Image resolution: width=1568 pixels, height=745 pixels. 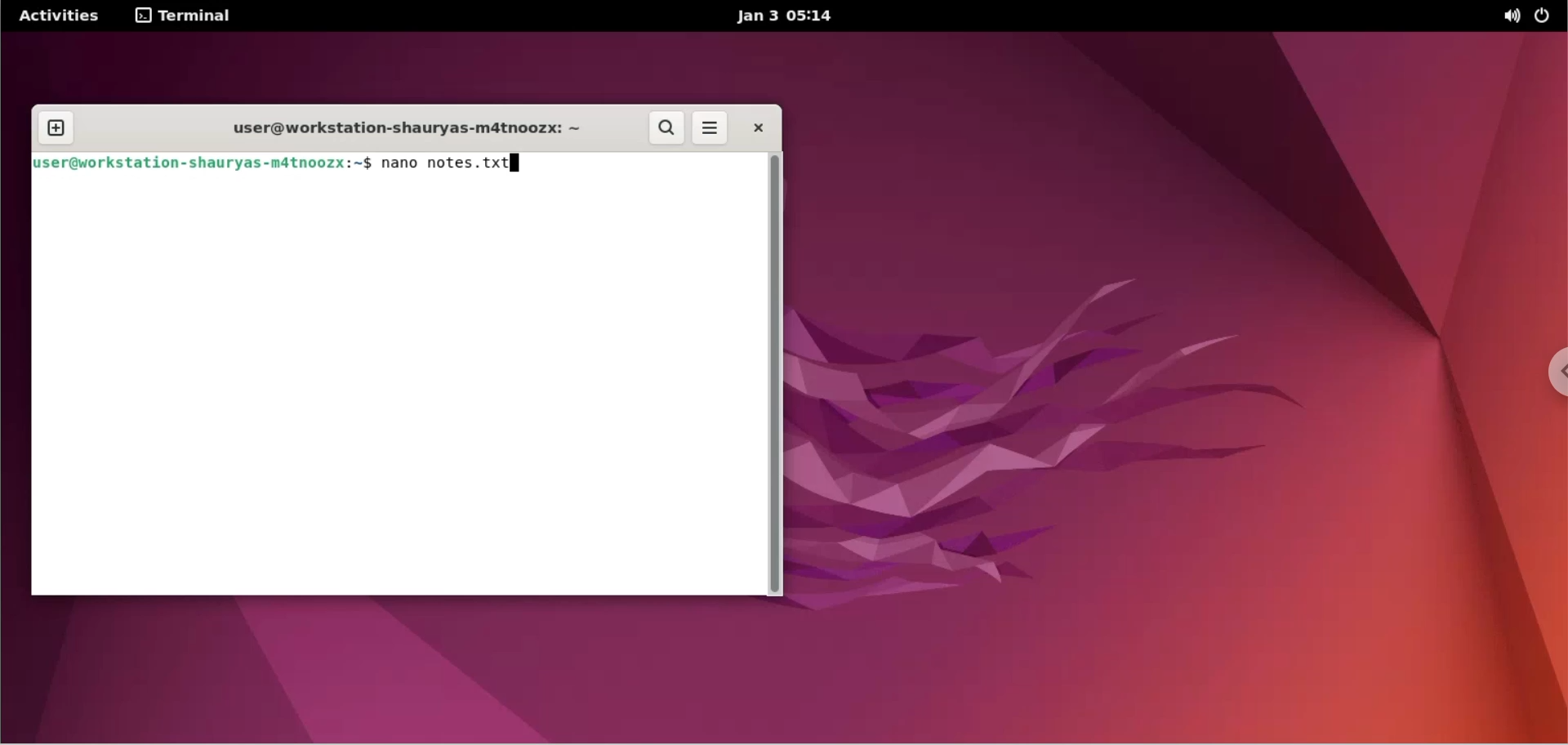 I want to click on menu, so click(x=709, y=129).